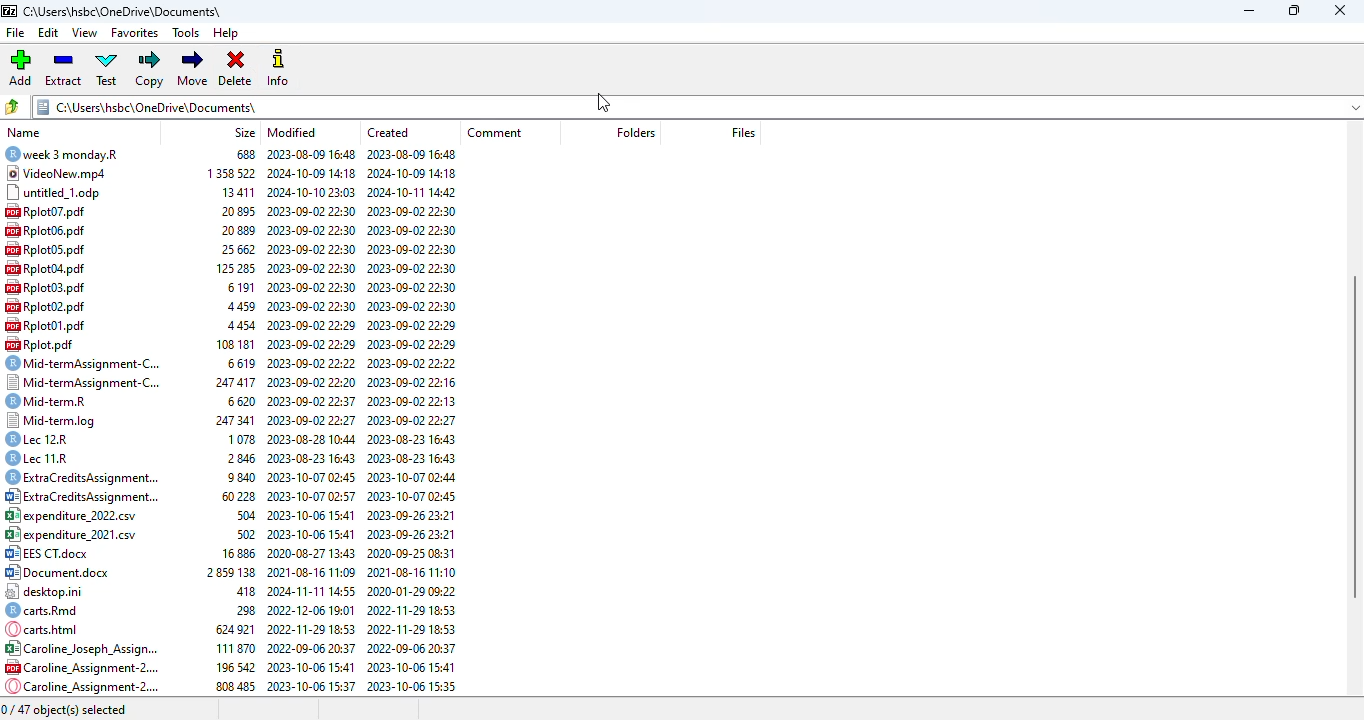 The width and height of the screenshot is (1364, 720). Describe the element at coordinates (389, 132) in the screenshot. I see `created` at that location.